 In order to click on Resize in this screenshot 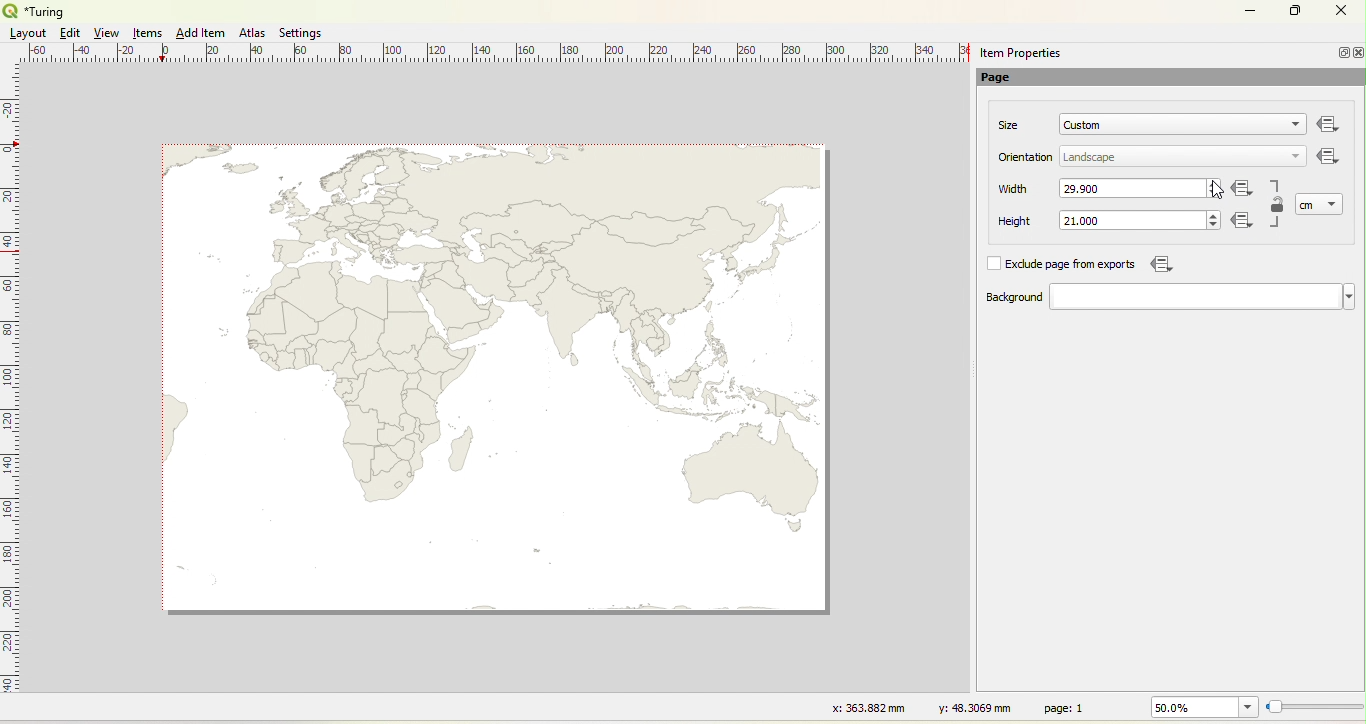, I will do `click(1315, 708)`.